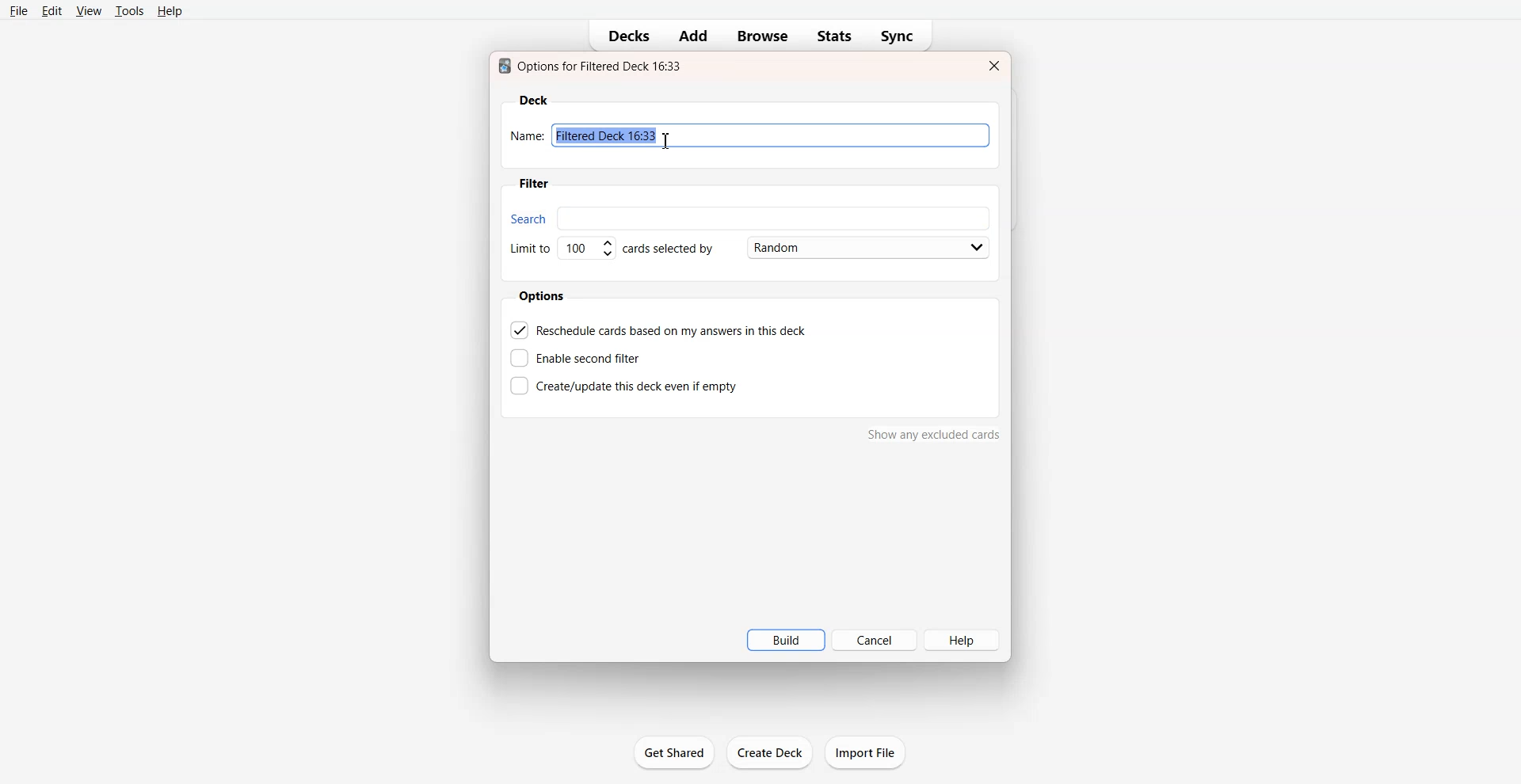 Image resolution: width=1521 pixels, height=784 pixels. I want to click on Filter, so click(533, 184).